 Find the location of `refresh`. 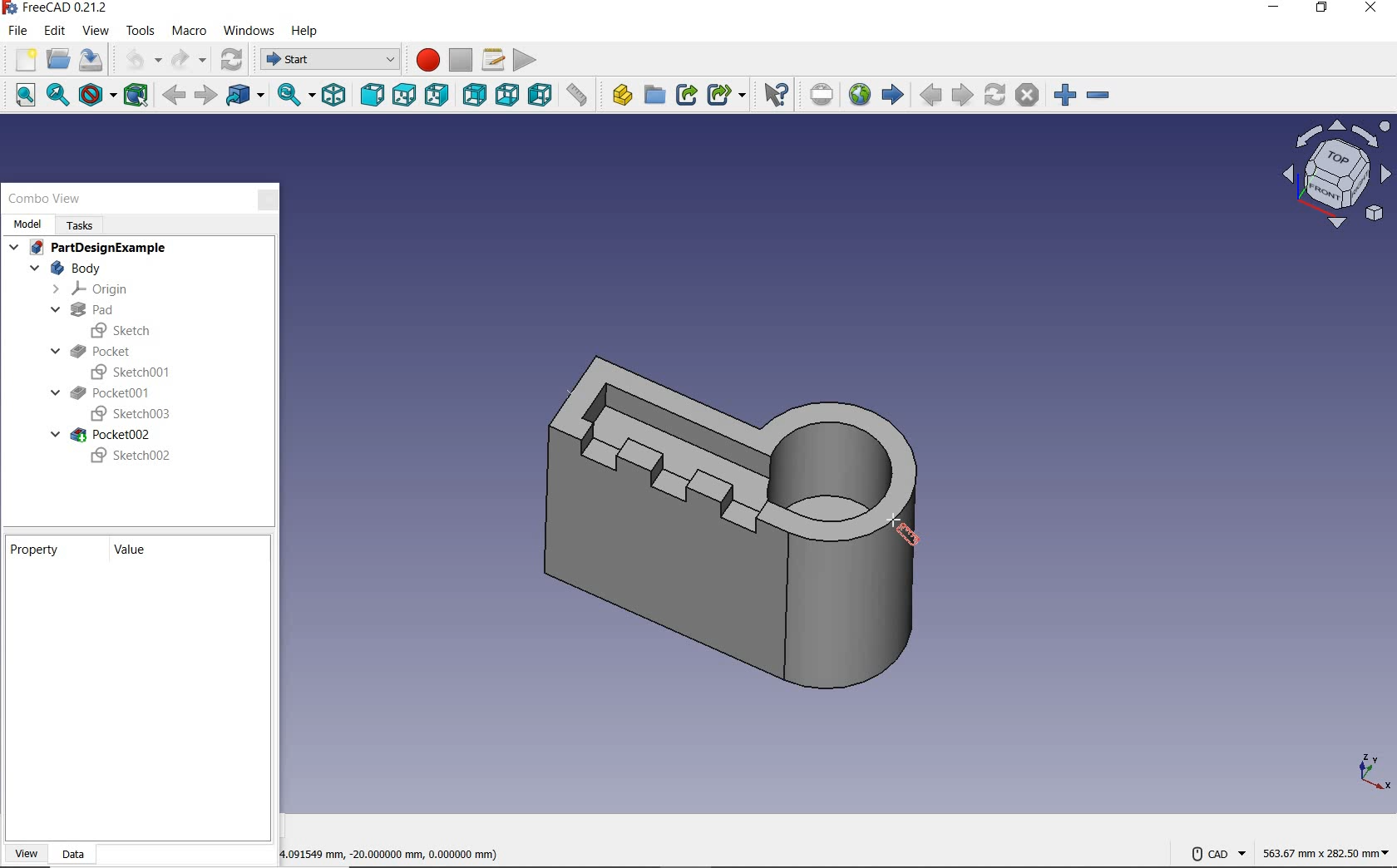

refresh is located at coordinates (234, 60).